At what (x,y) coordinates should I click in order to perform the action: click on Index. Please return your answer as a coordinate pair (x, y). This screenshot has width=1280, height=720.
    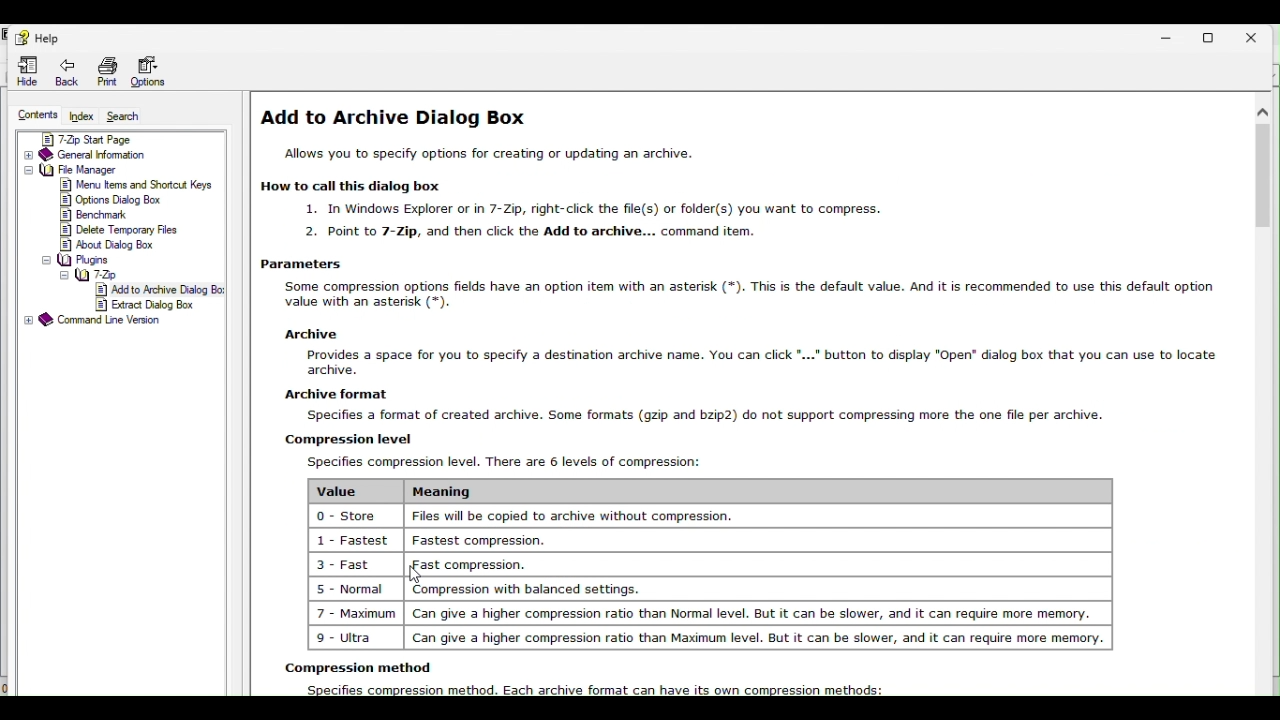
    Looking at the image, I should click on (83, 115).